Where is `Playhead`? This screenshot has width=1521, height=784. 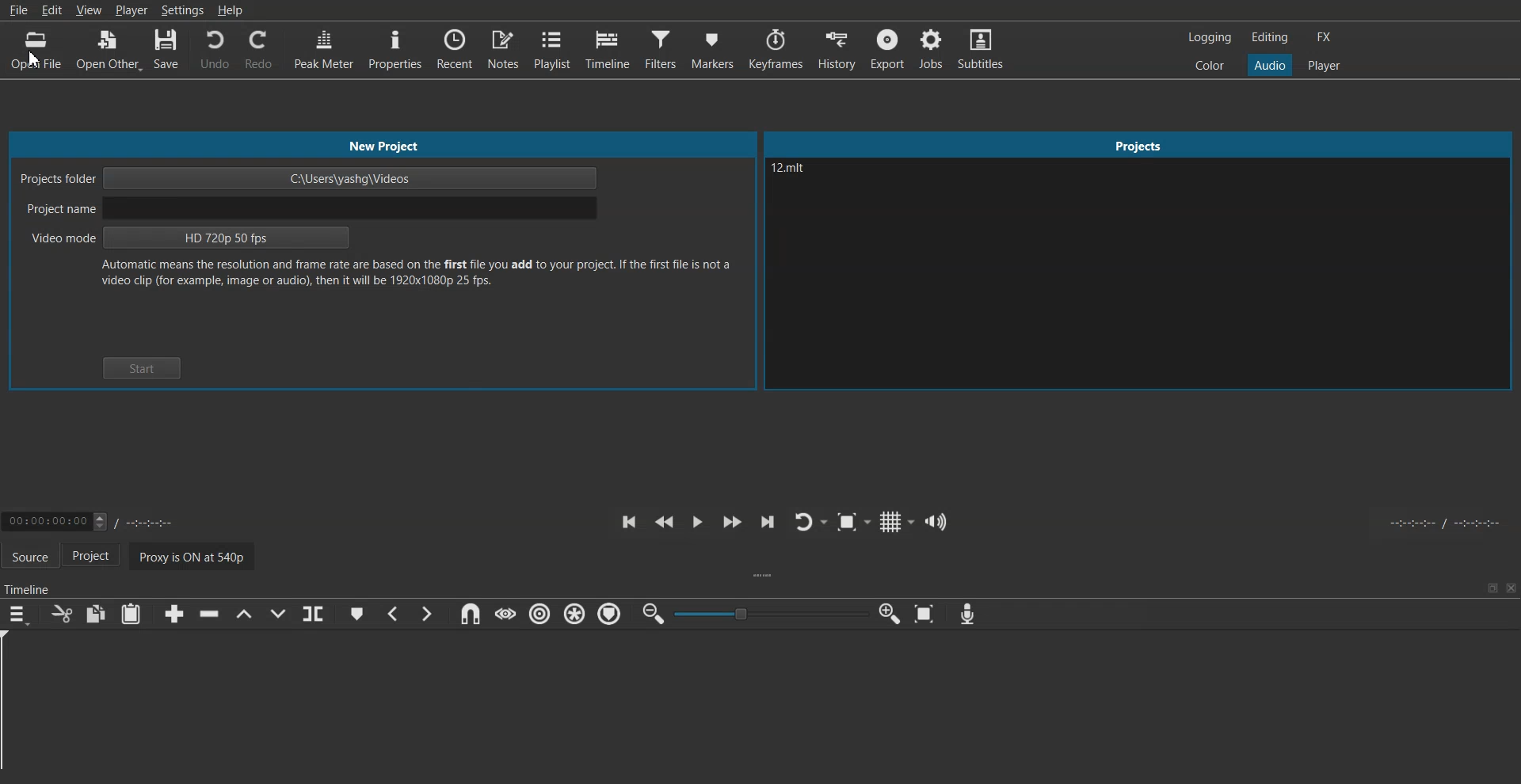
Playhead is located at coordinates (14, 707).